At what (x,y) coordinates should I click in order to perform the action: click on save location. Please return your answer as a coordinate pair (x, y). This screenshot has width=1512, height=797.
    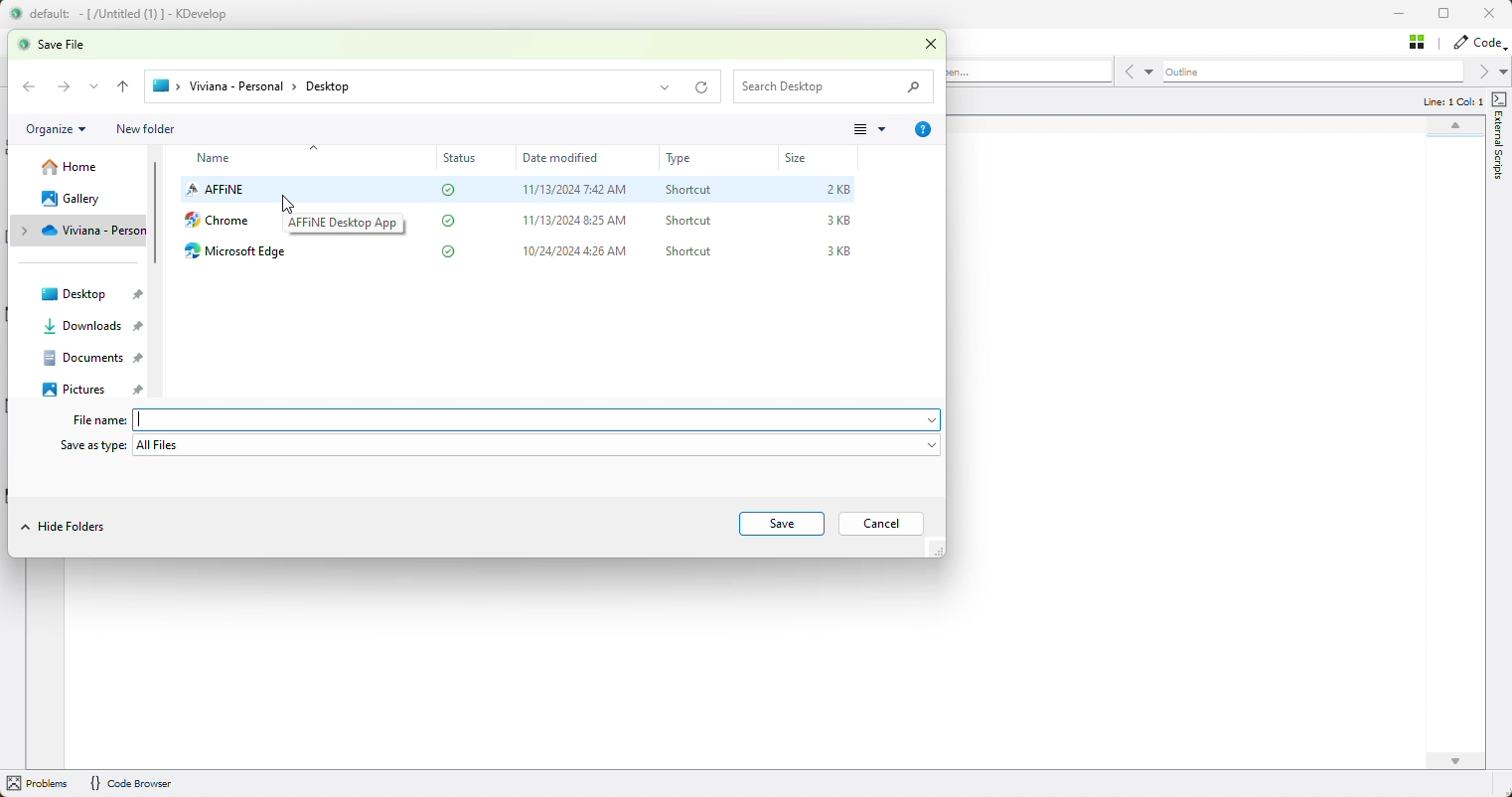
    Looking at the image, I should click on (434, 87).